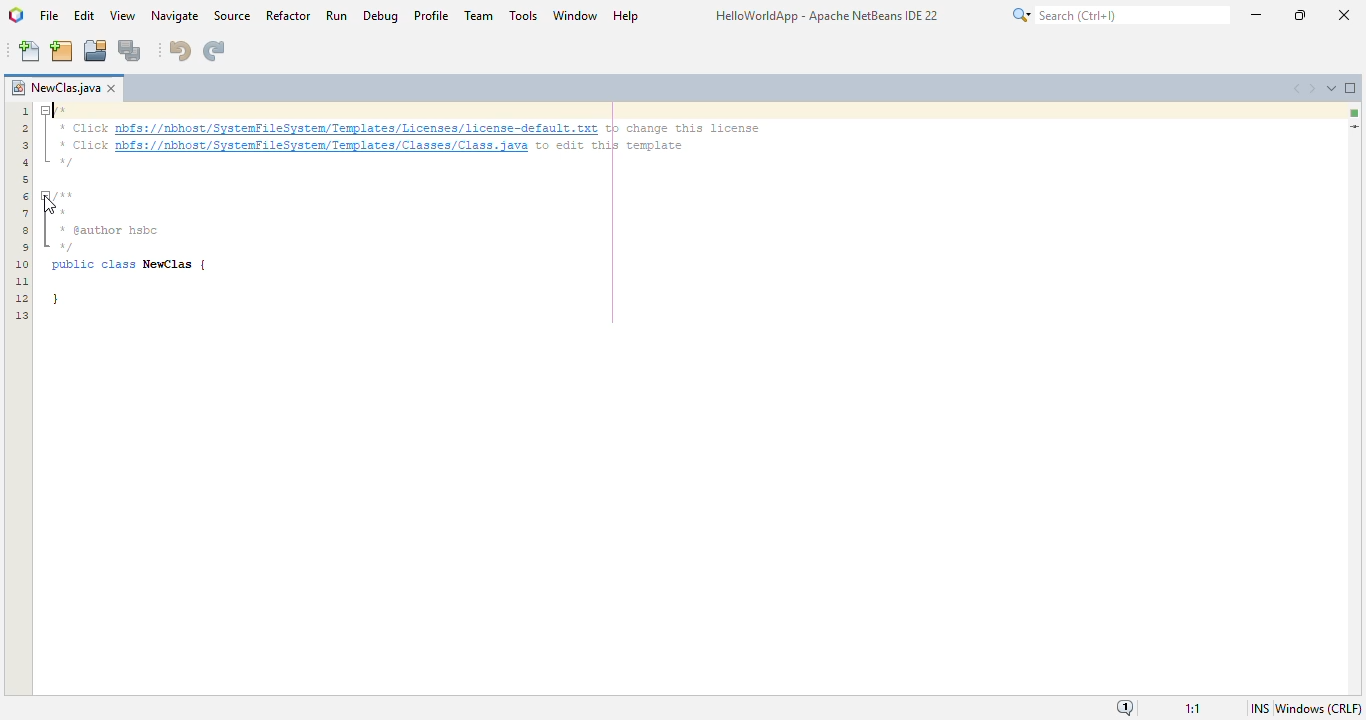 The height and width of the screenshot is (720, 1366). I want to click on Windows(CRLF), so click(1318, 709).